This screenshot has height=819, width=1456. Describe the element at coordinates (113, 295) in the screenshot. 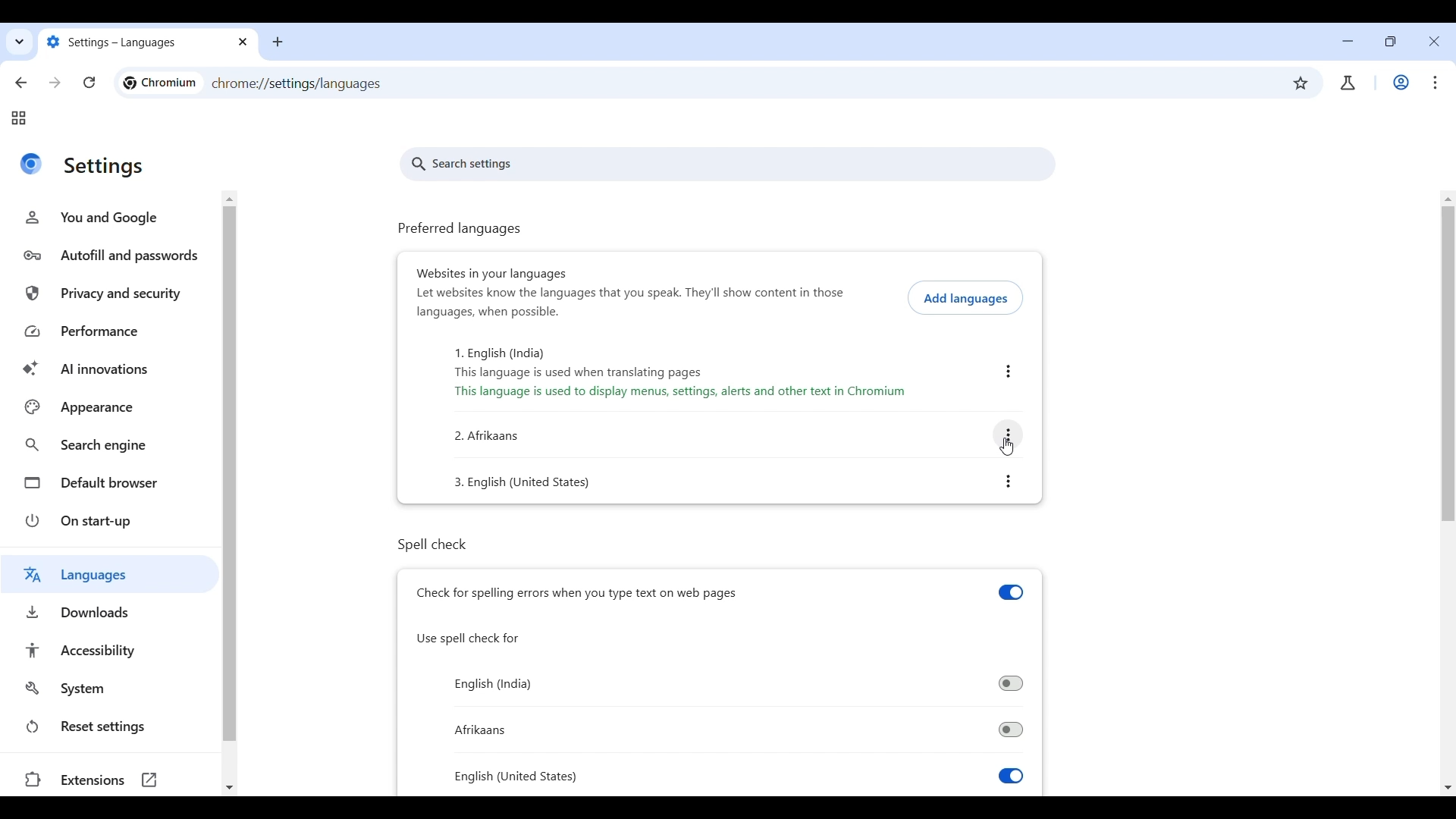

I see `Privacy and security` at that location.